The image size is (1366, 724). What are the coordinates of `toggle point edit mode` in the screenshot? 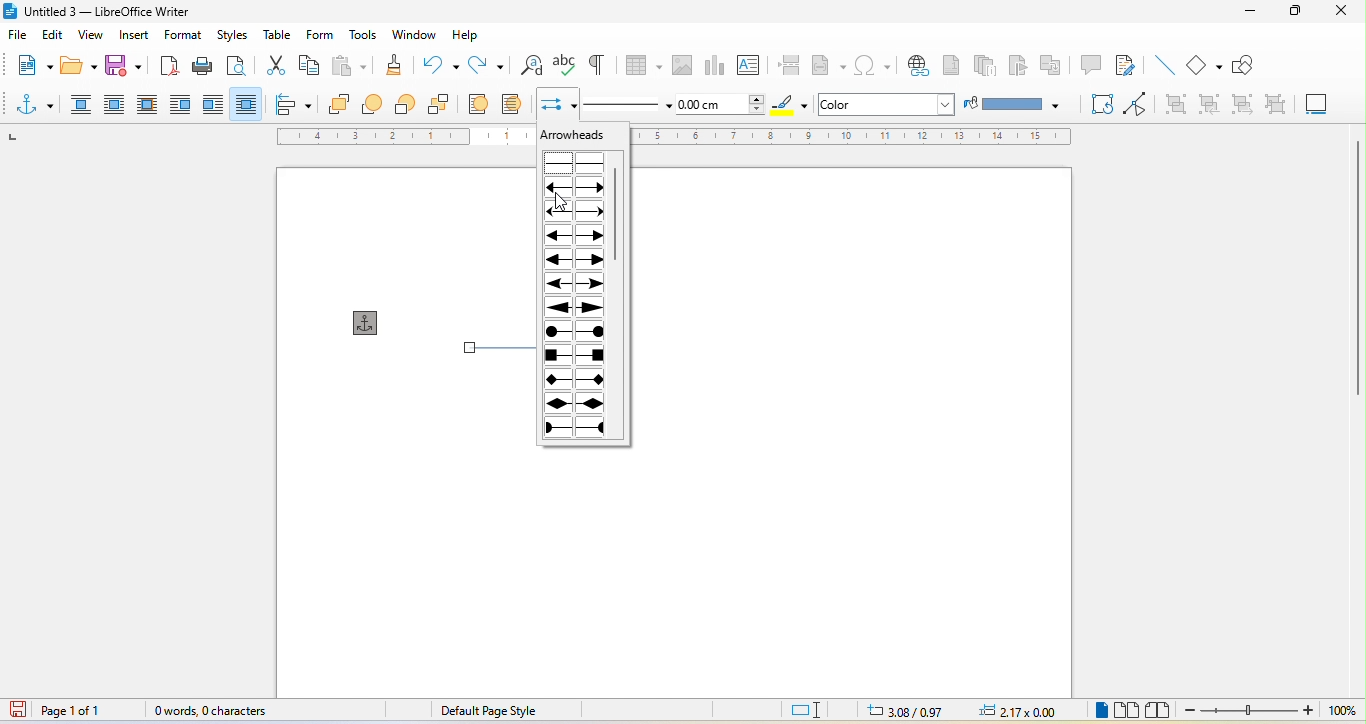 It's located at (1142, 103).